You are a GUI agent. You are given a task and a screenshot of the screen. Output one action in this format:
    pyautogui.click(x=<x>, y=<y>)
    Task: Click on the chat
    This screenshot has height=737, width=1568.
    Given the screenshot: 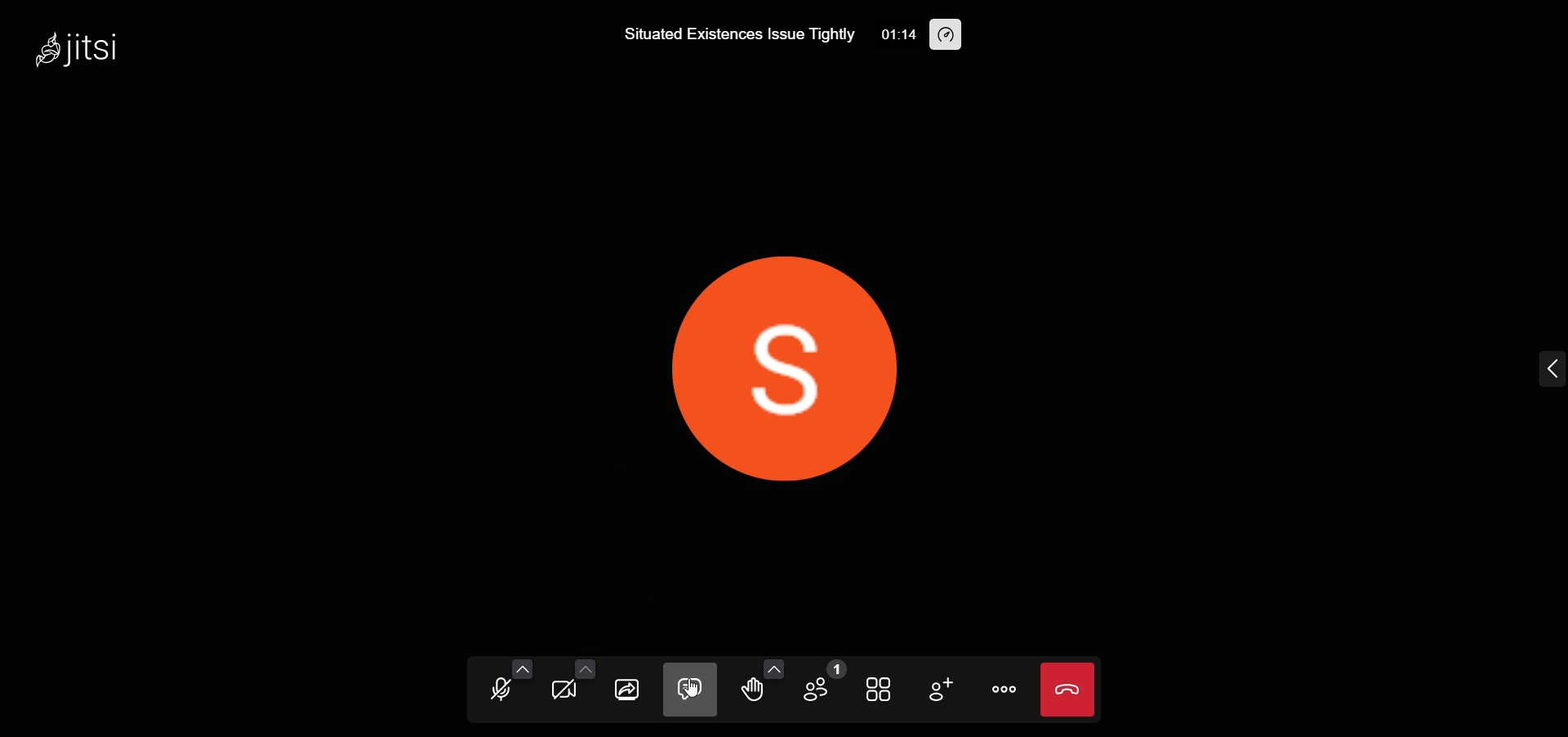 What is the action you would take?
    pyautogui.click(x=690, y=690)
    